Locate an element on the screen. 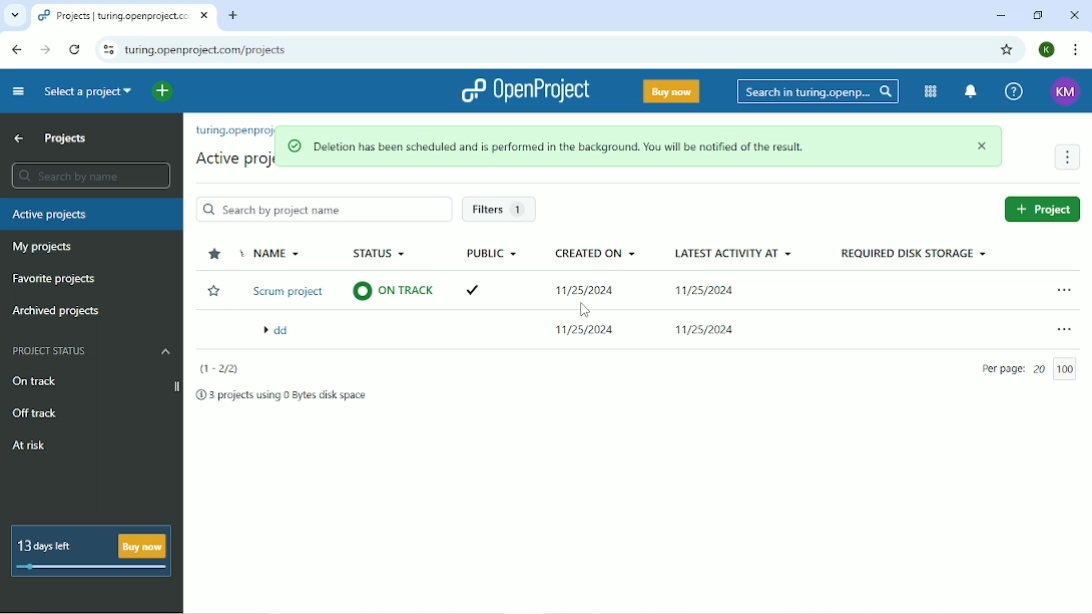 The width and height of the screenshot is (1092, 614). Buy now is located at coordinates (672, 91).